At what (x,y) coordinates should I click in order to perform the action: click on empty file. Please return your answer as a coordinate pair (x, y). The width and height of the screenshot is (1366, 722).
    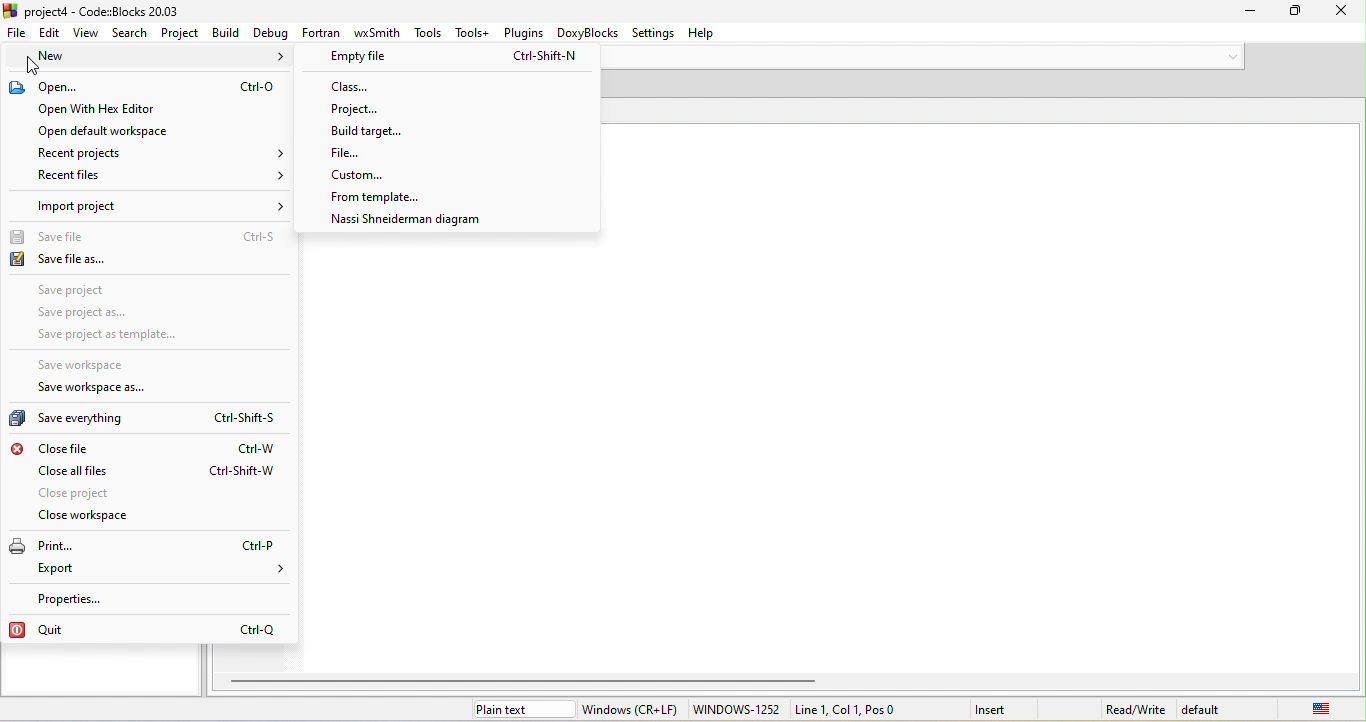
    Looking at the image, I should click on (450, 57).